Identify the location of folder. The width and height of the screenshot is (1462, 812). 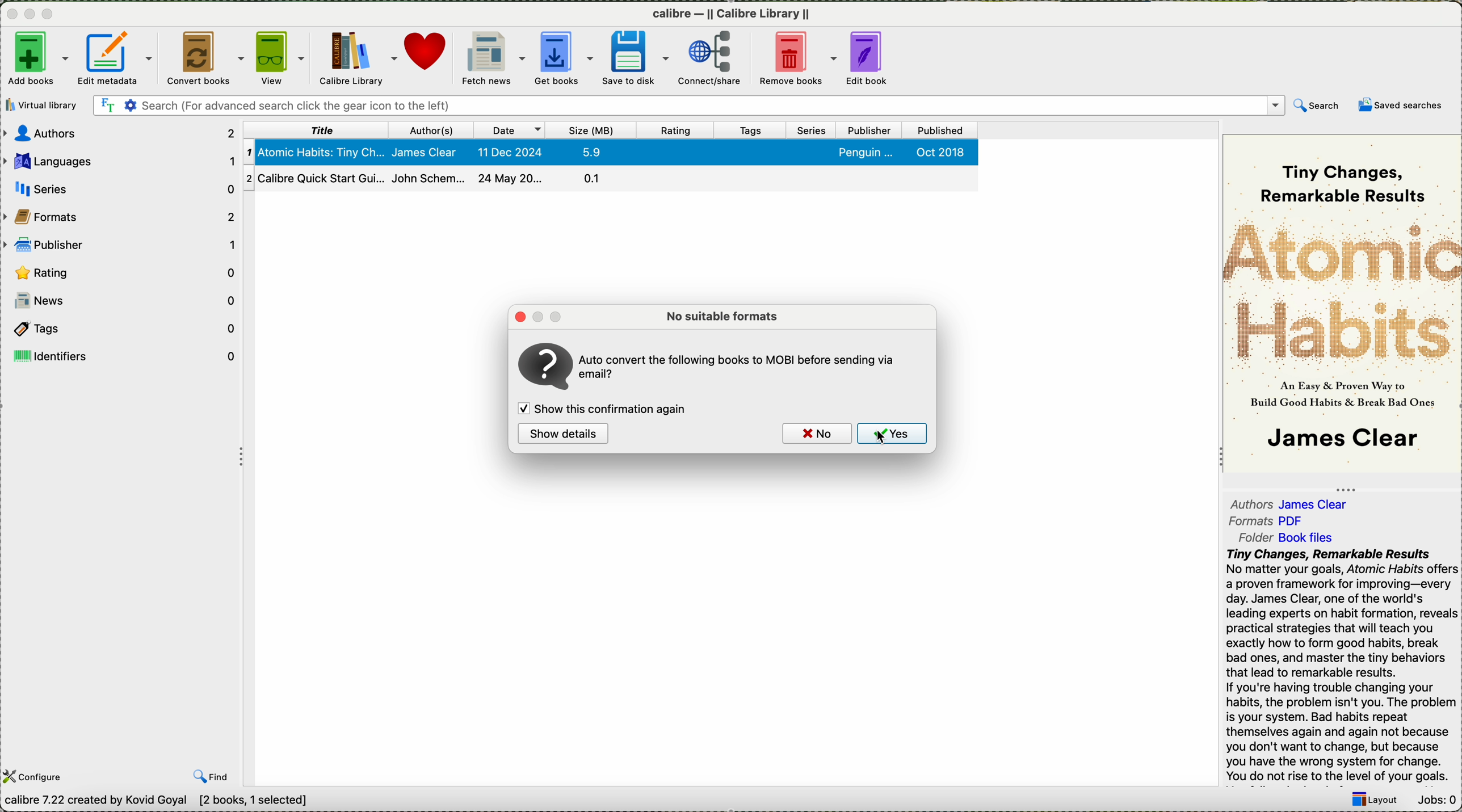
(1290, 538).